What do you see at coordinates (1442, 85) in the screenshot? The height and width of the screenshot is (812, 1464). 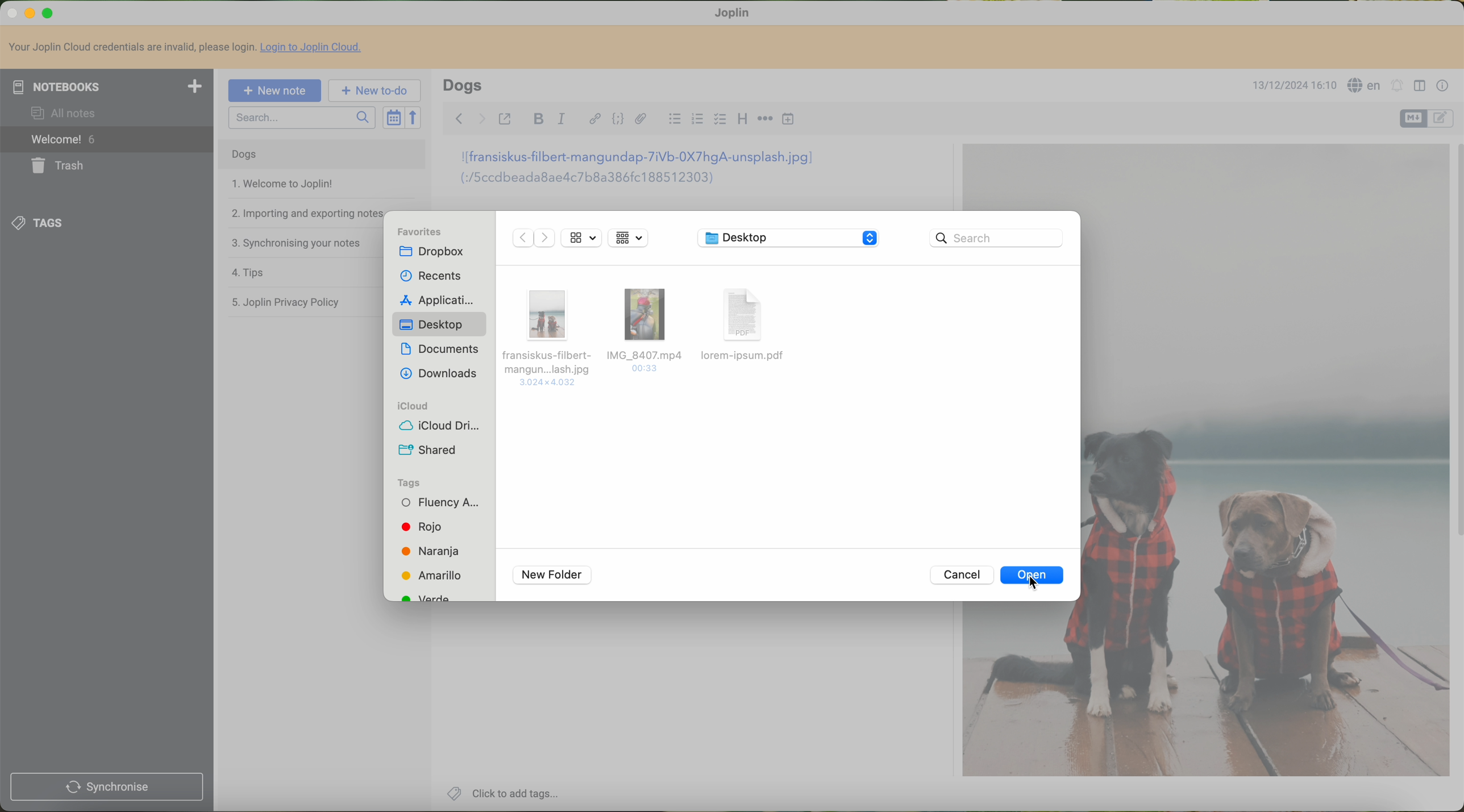 I see `note properties` at bounding box center [1442, 85].